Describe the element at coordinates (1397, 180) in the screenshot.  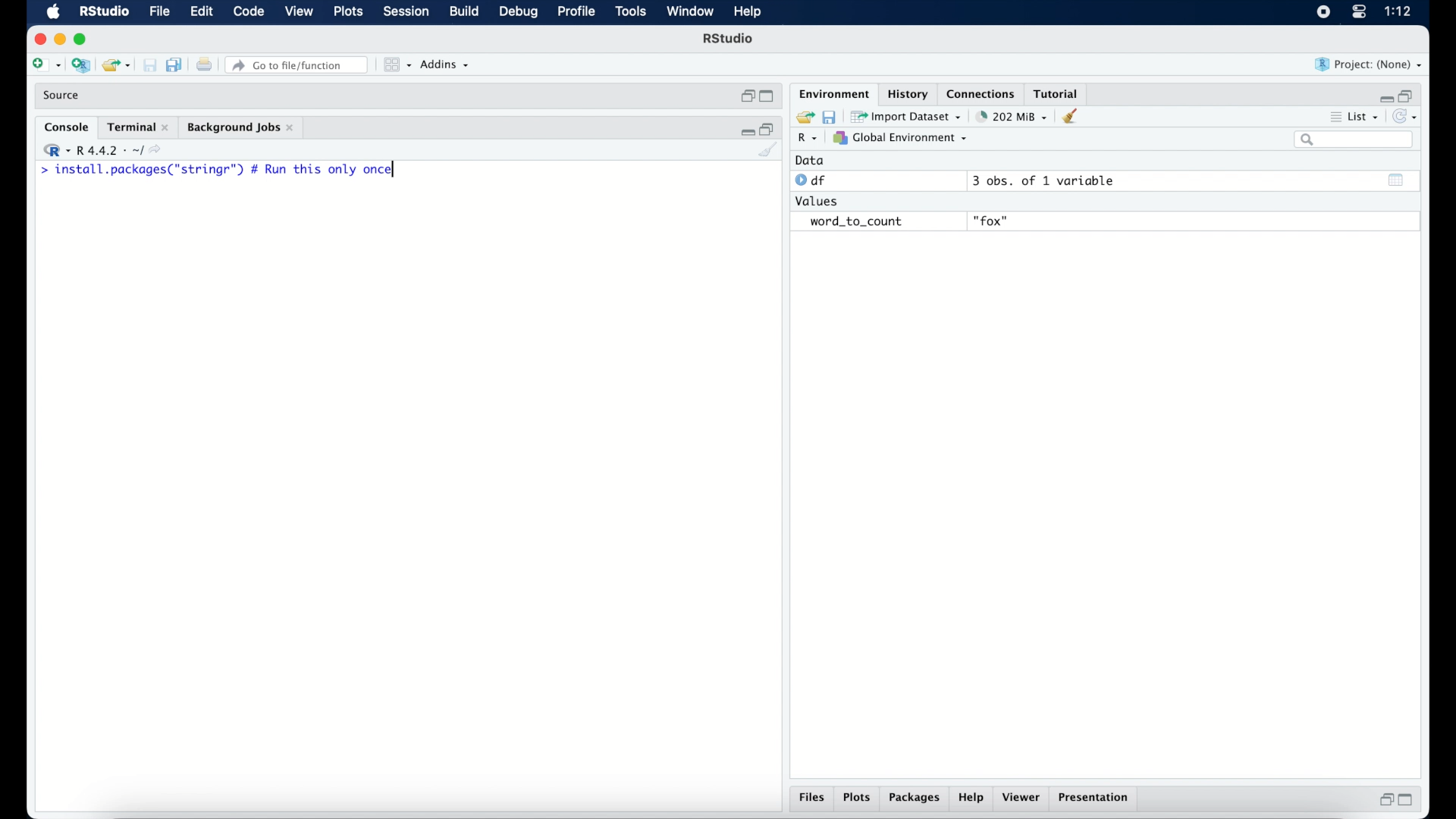
I see `show output window` at that location.